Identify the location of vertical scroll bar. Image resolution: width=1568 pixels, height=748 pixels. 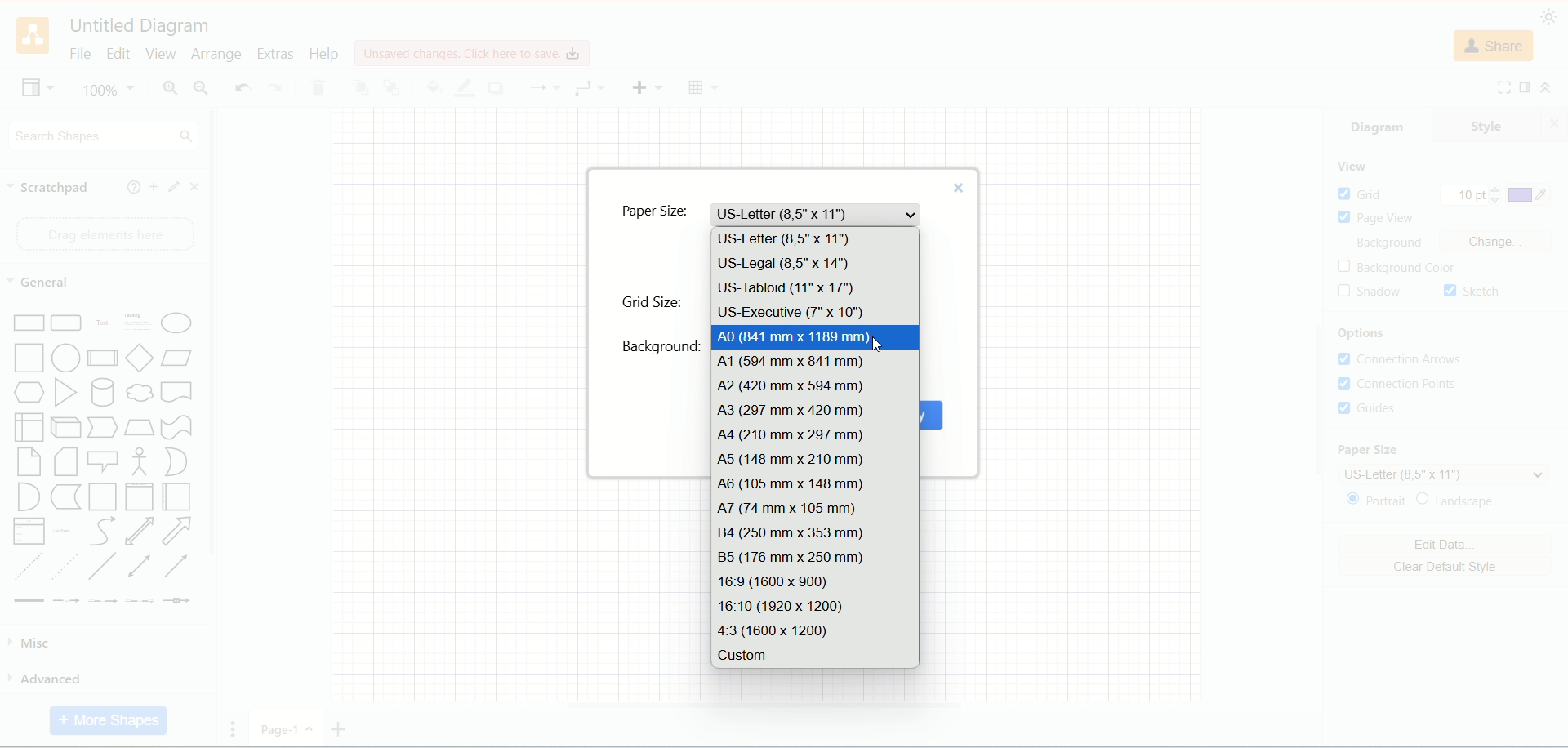
(212, 427).